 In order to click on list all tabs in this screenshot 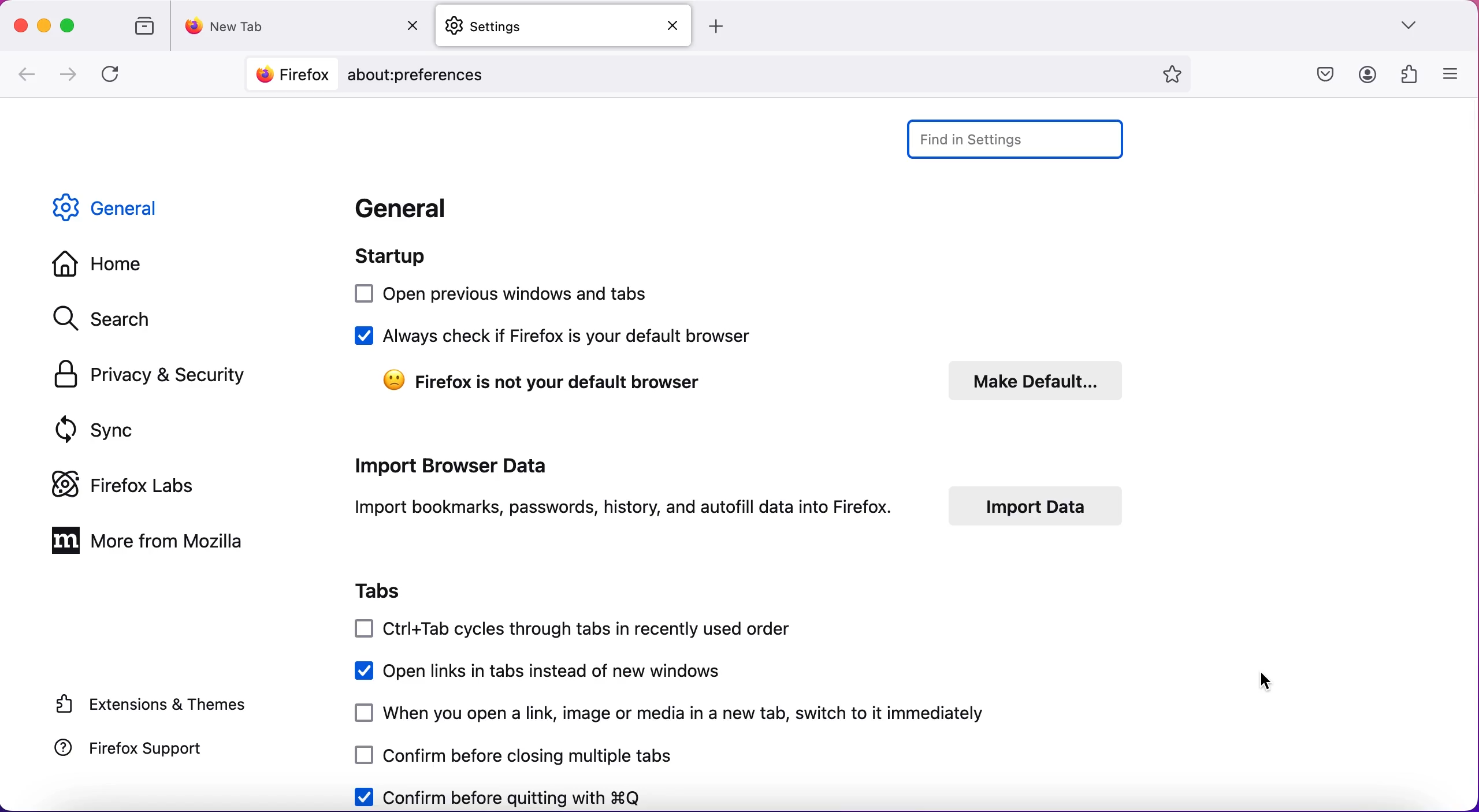, I will do `click(1414, 26)`.